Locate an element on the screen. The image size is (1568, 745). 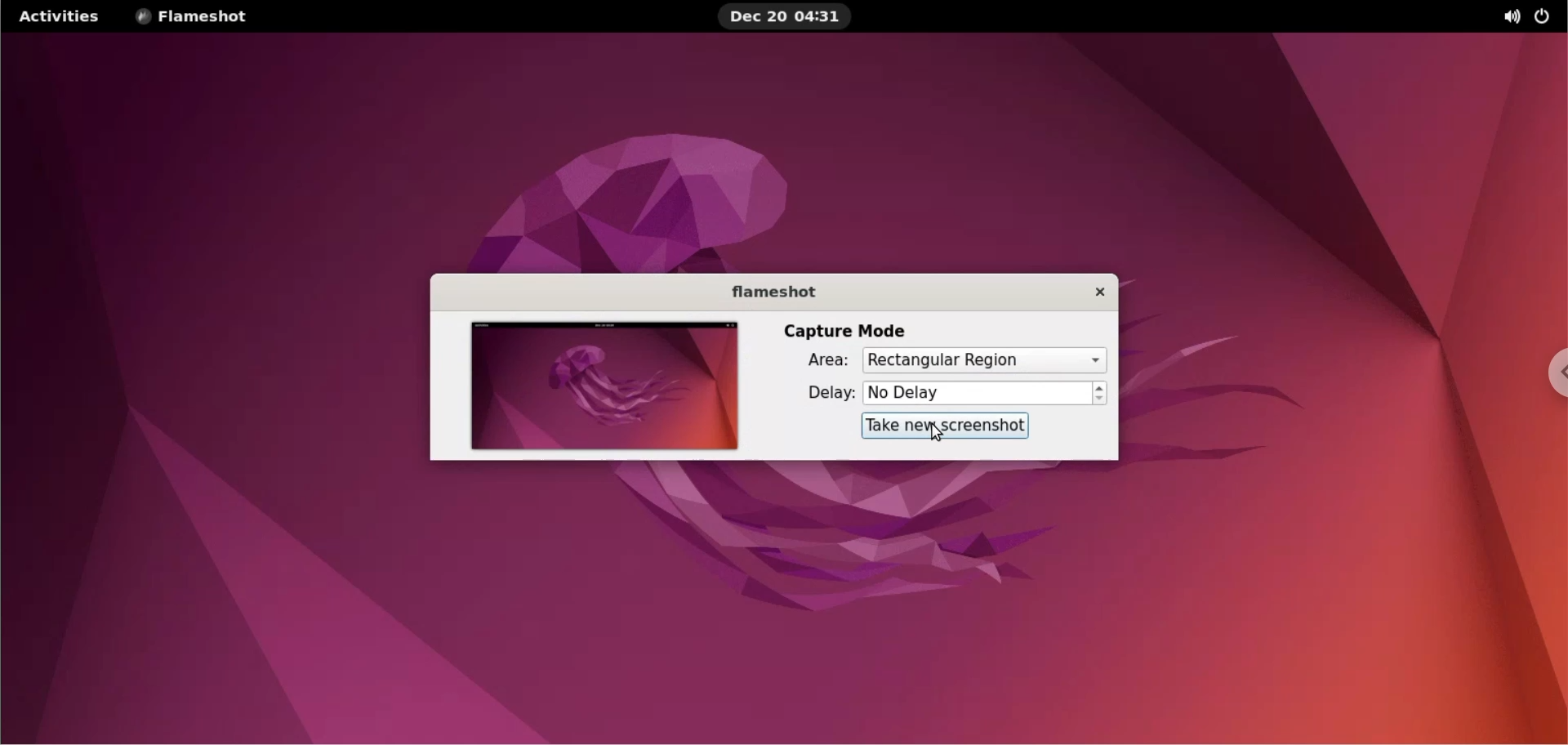
delay: is located at coordinates (830, 399).